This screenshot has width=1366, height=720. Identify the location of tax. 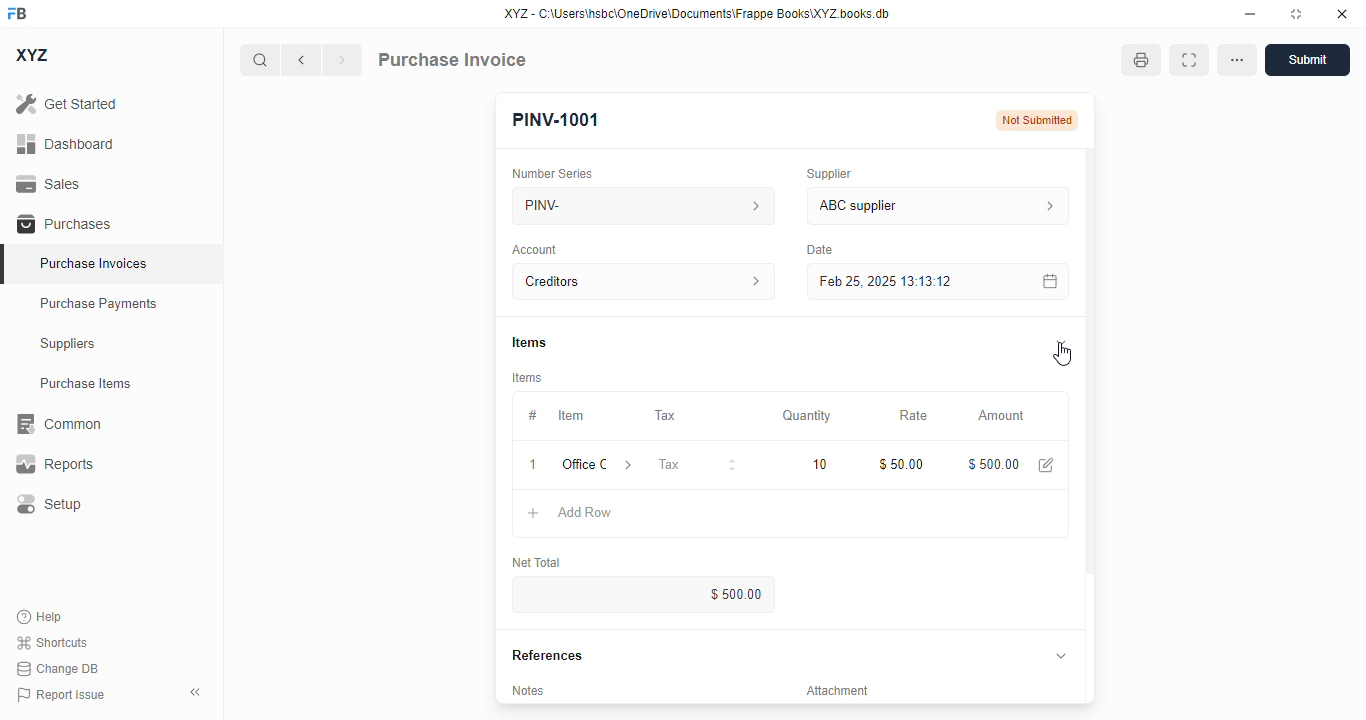
(698, 465).